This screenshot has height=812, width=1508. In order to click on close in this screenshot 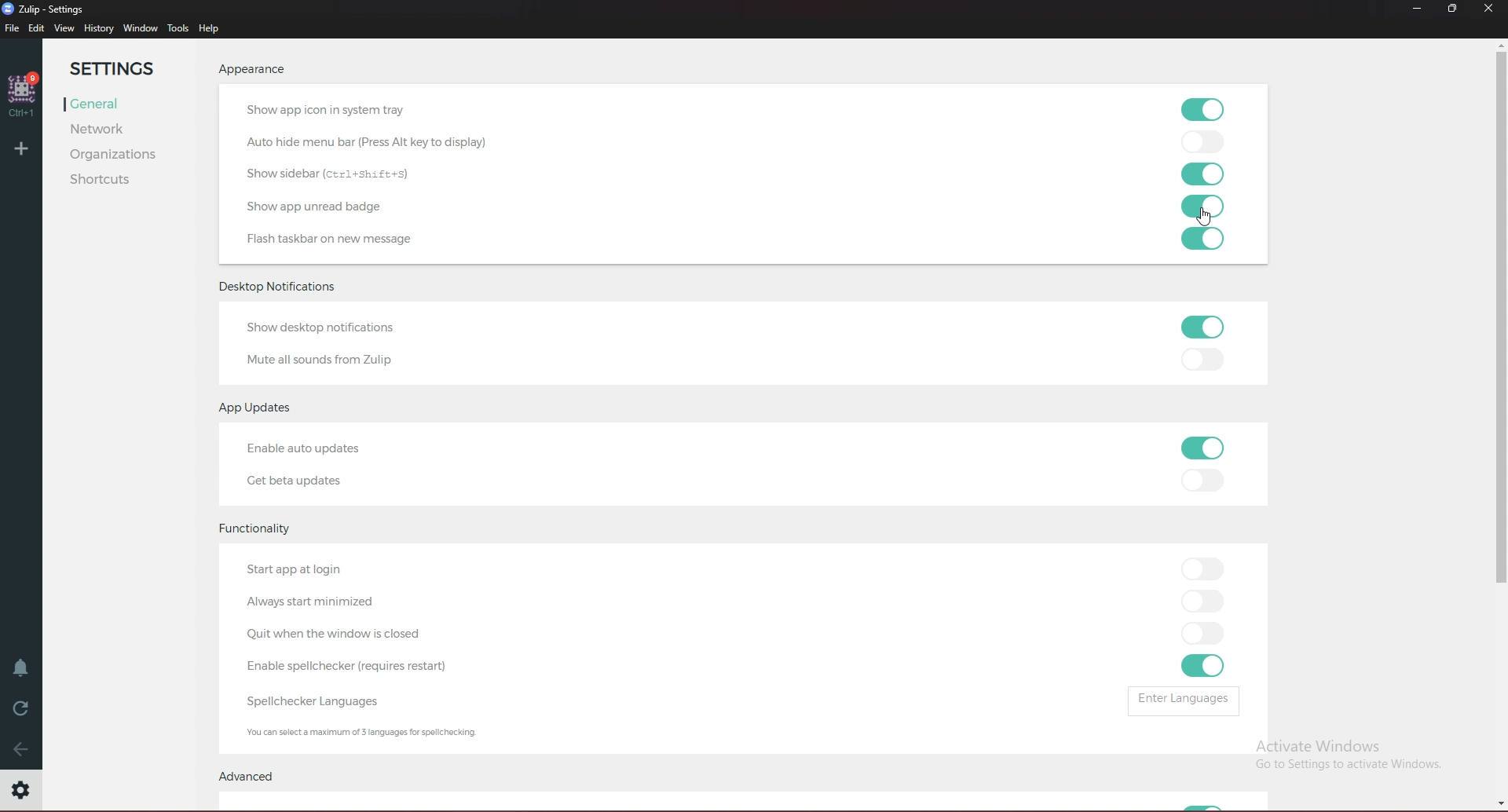, I will do `click(1488, 9)`.